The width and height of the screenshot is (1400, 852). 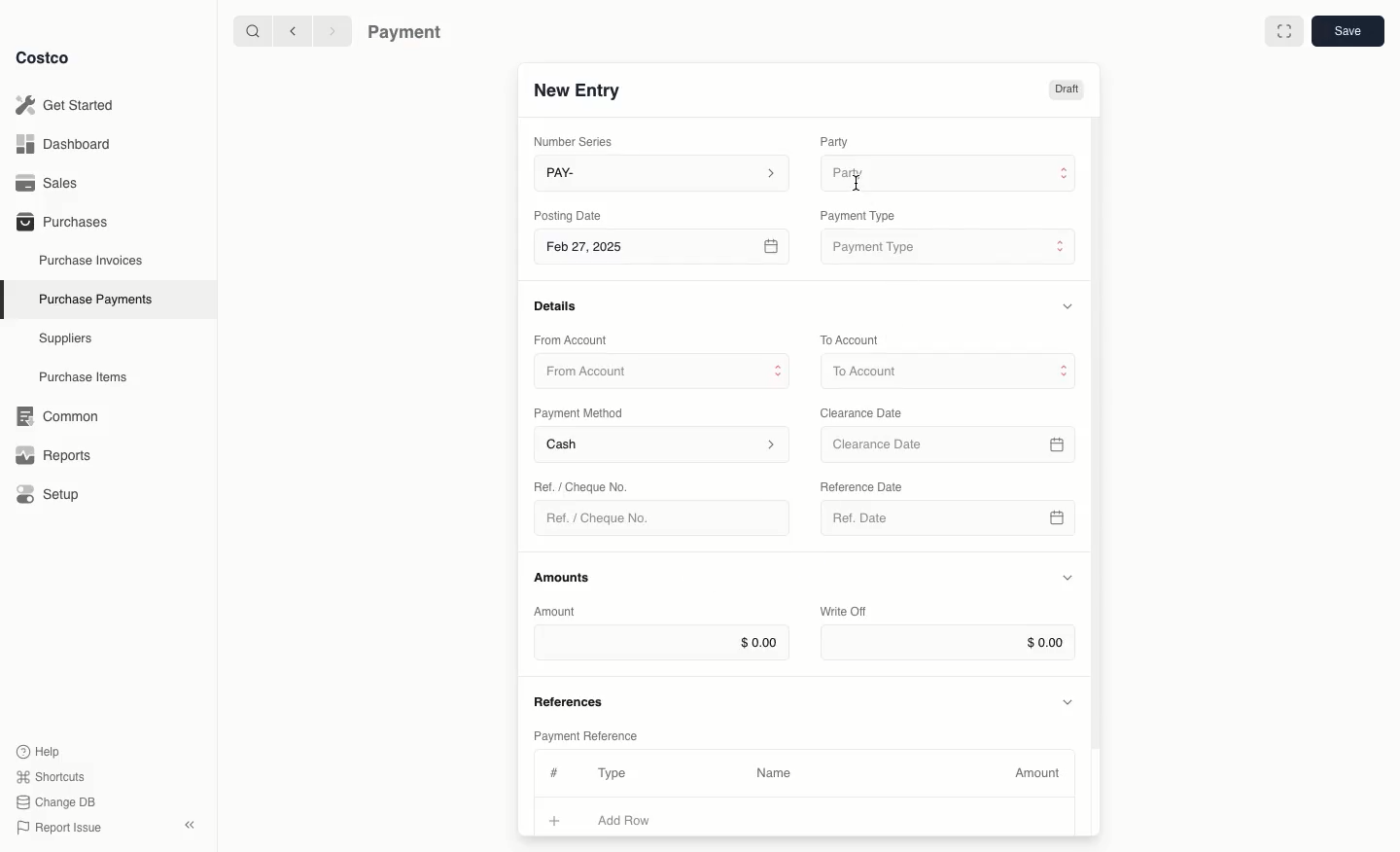 What do you see at coordinates (558, 611) in the screenshot?
I see `Amount` at bounding box center [558, 611].